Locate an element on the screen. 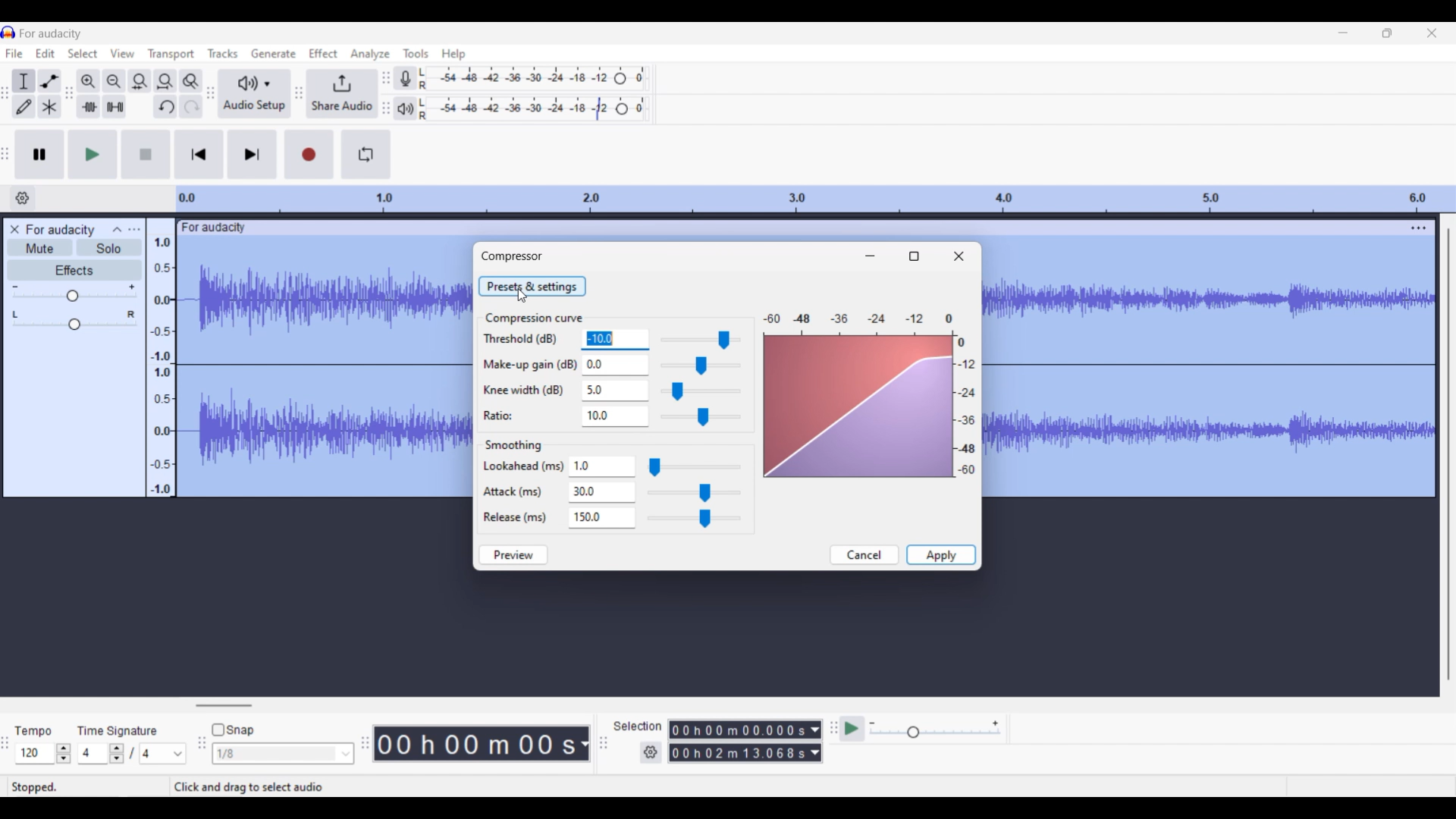 The image size is (1456, 819). Software logo is located at coordinates (8, 33).